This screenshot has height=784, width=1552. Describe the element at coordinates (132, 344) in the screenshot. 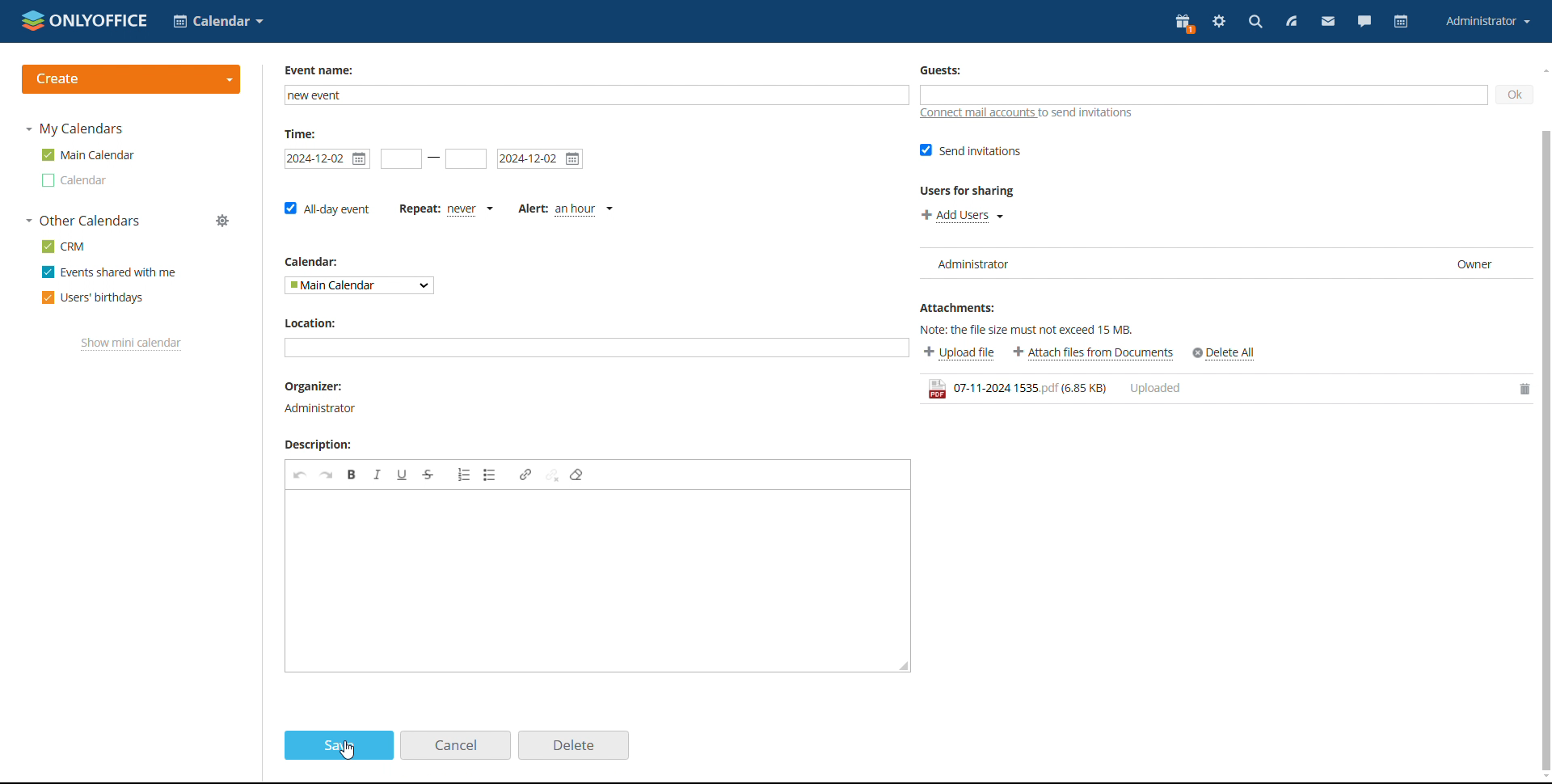

I see `show mini calendar` at that location.